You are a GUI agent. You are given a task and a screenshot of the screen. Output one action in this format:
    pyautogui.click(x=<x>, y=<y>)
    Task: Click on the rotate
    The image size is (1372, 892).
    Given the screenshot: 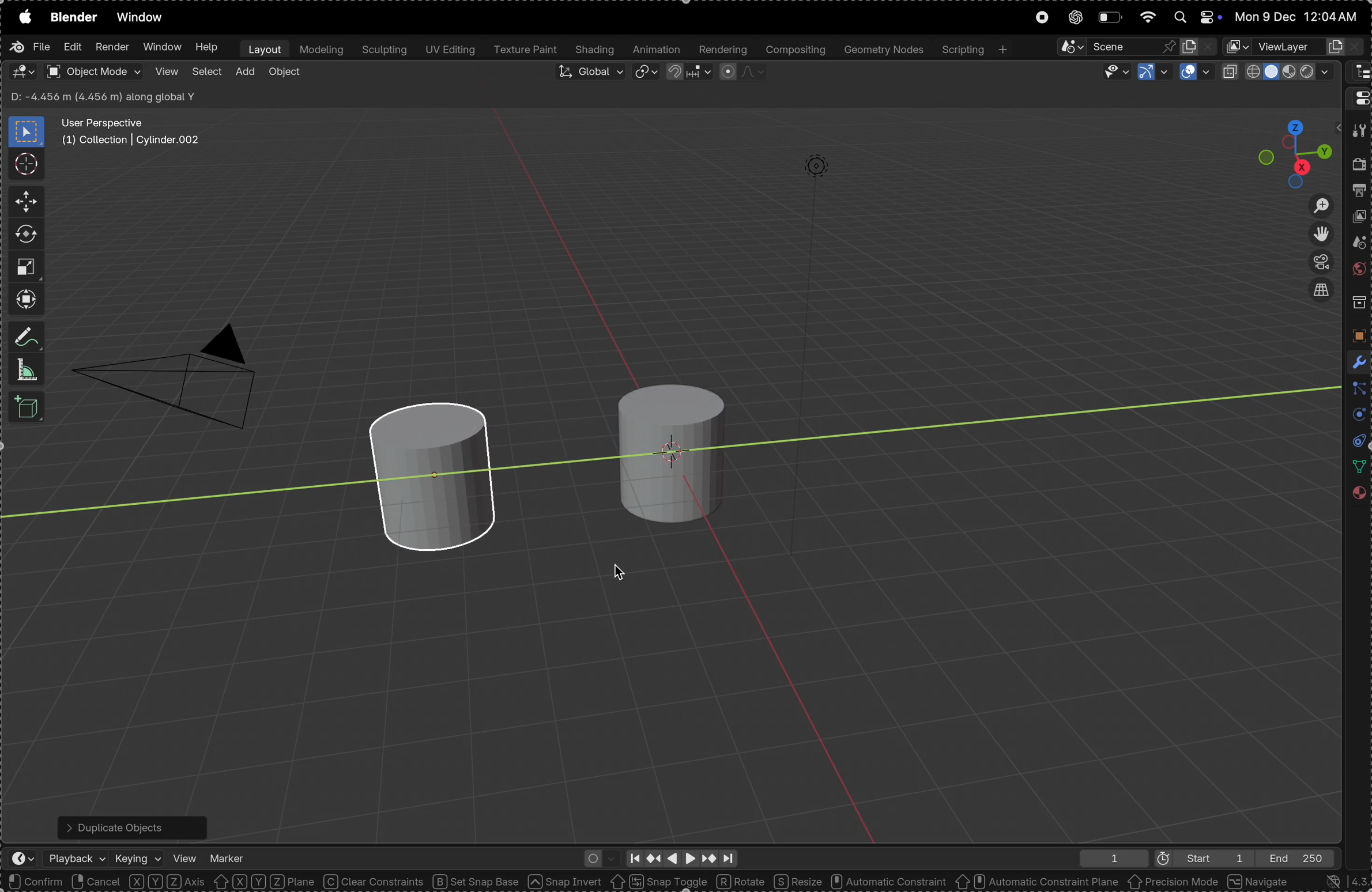 What is the action you would take?
    pyautogui.click(x=26, y=235)
    